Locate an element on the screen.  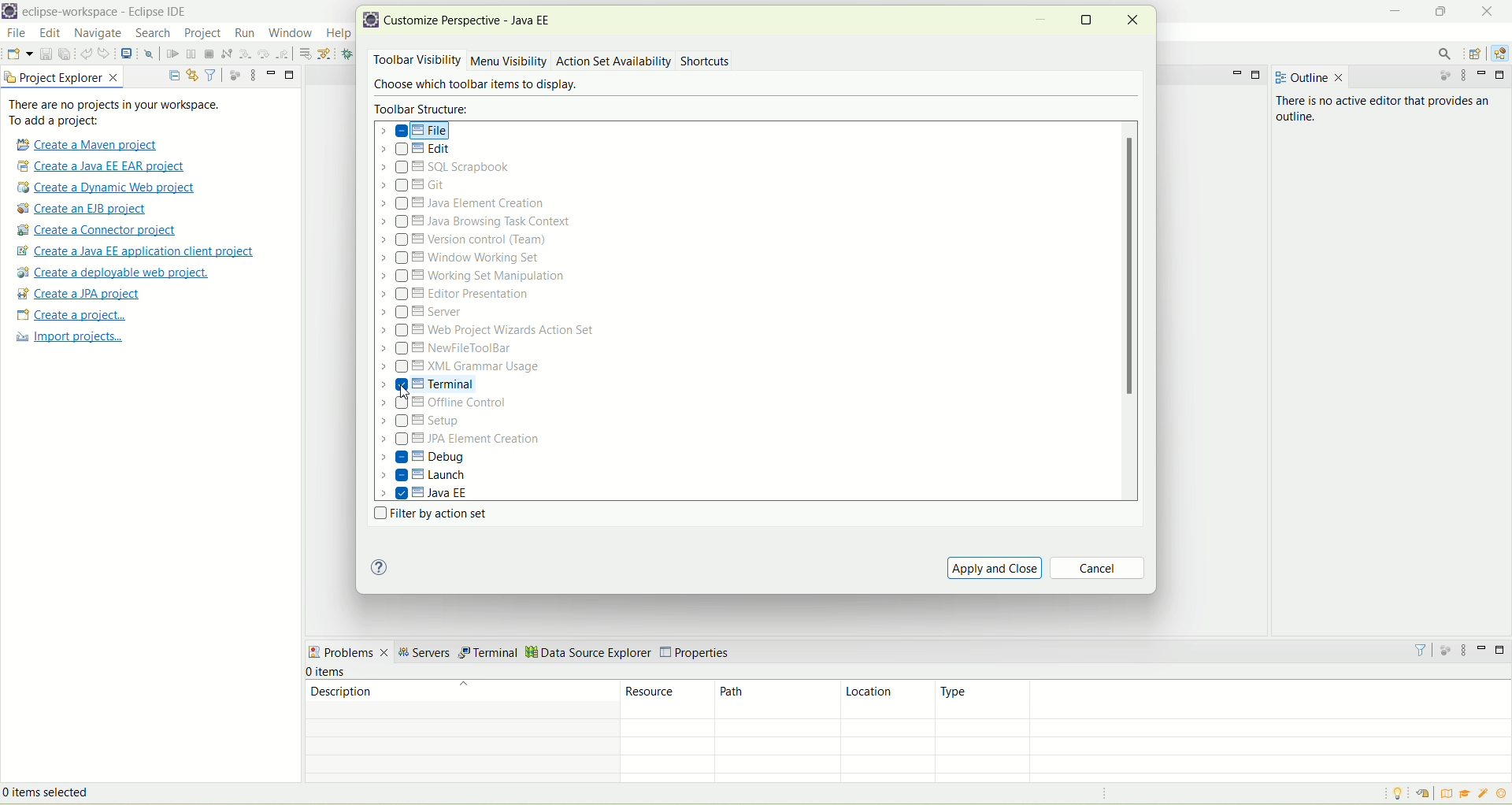
toolbar structure is located at coordinates (424, 109).